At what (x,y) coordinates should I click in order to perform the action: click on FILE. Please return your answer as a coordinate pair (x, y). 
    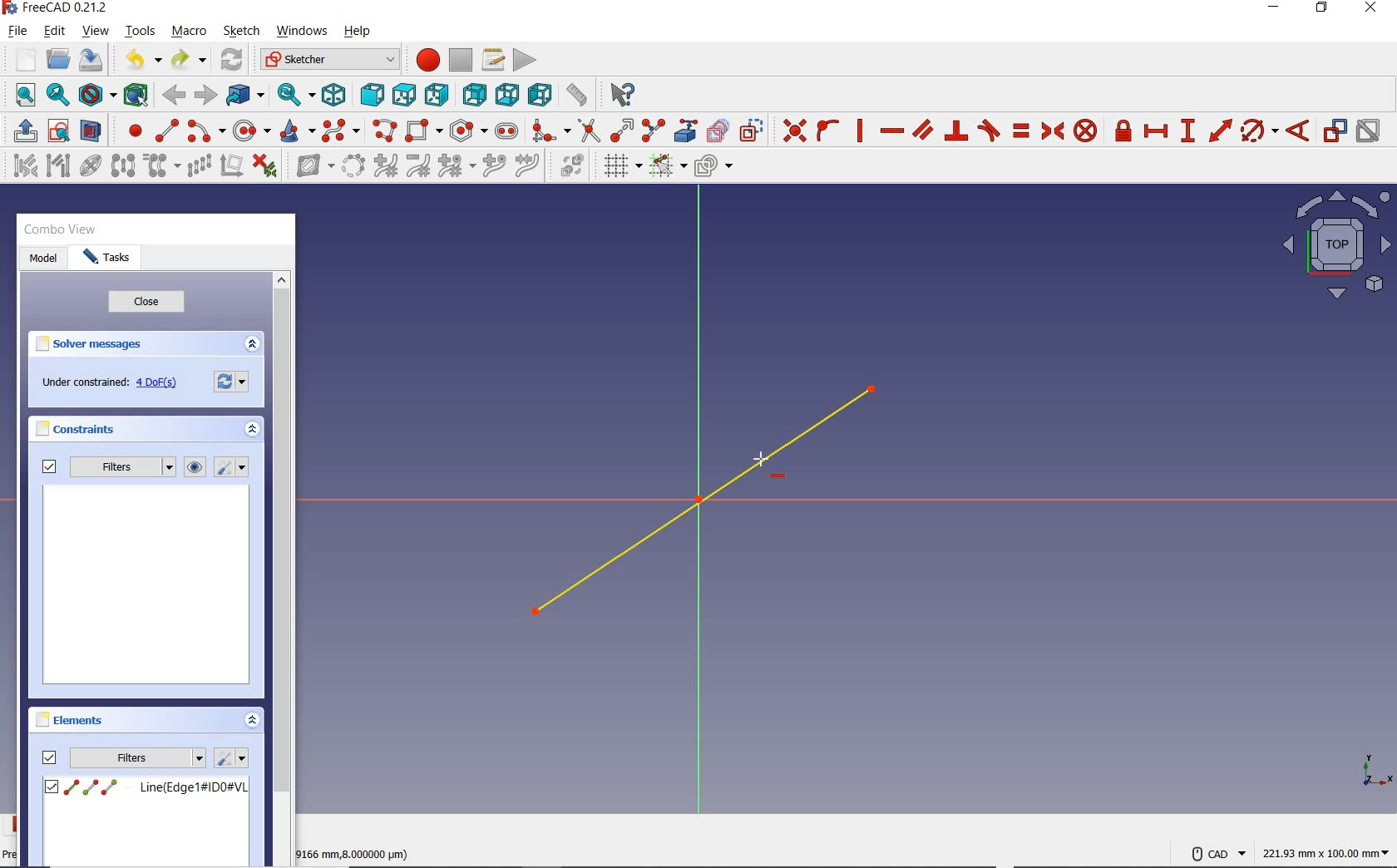
    Looking at the image, I should click on (17, 32).